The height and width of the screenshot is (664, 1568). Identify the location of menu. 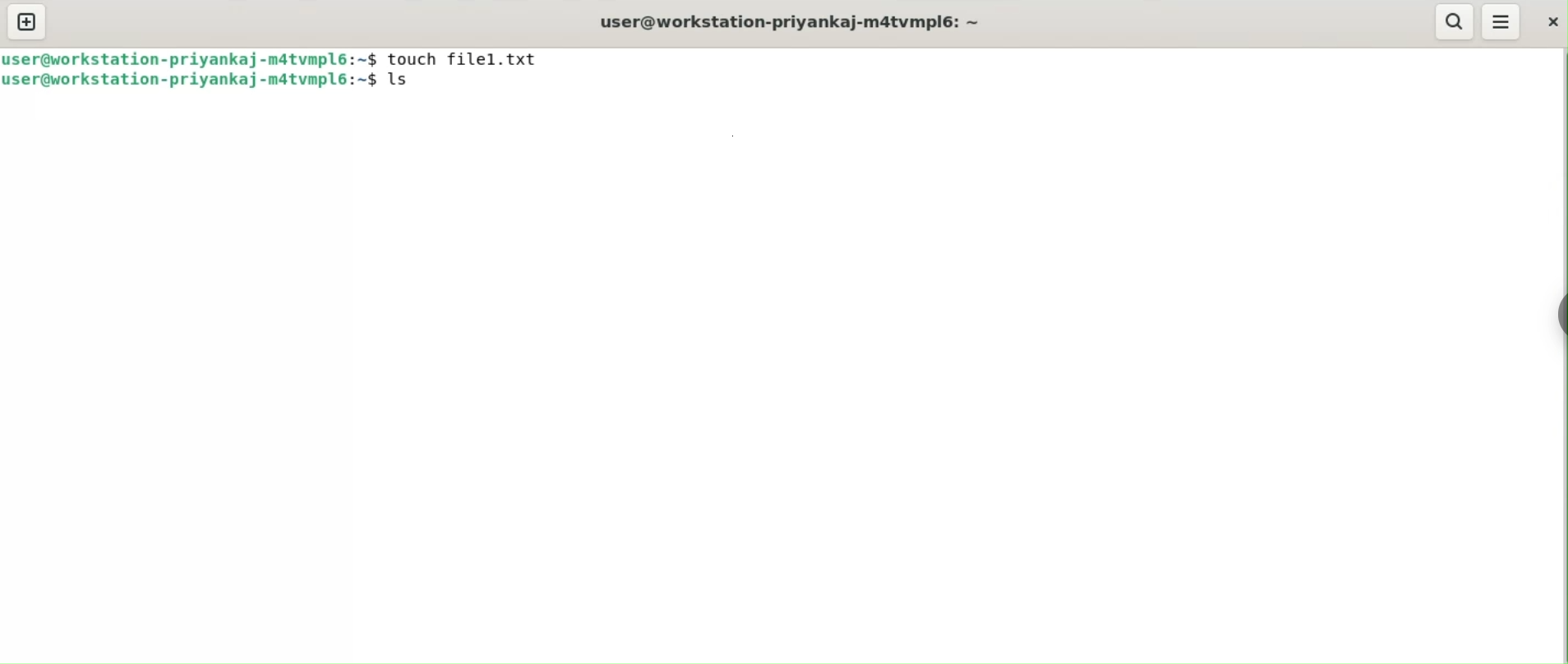
(1501, 21).